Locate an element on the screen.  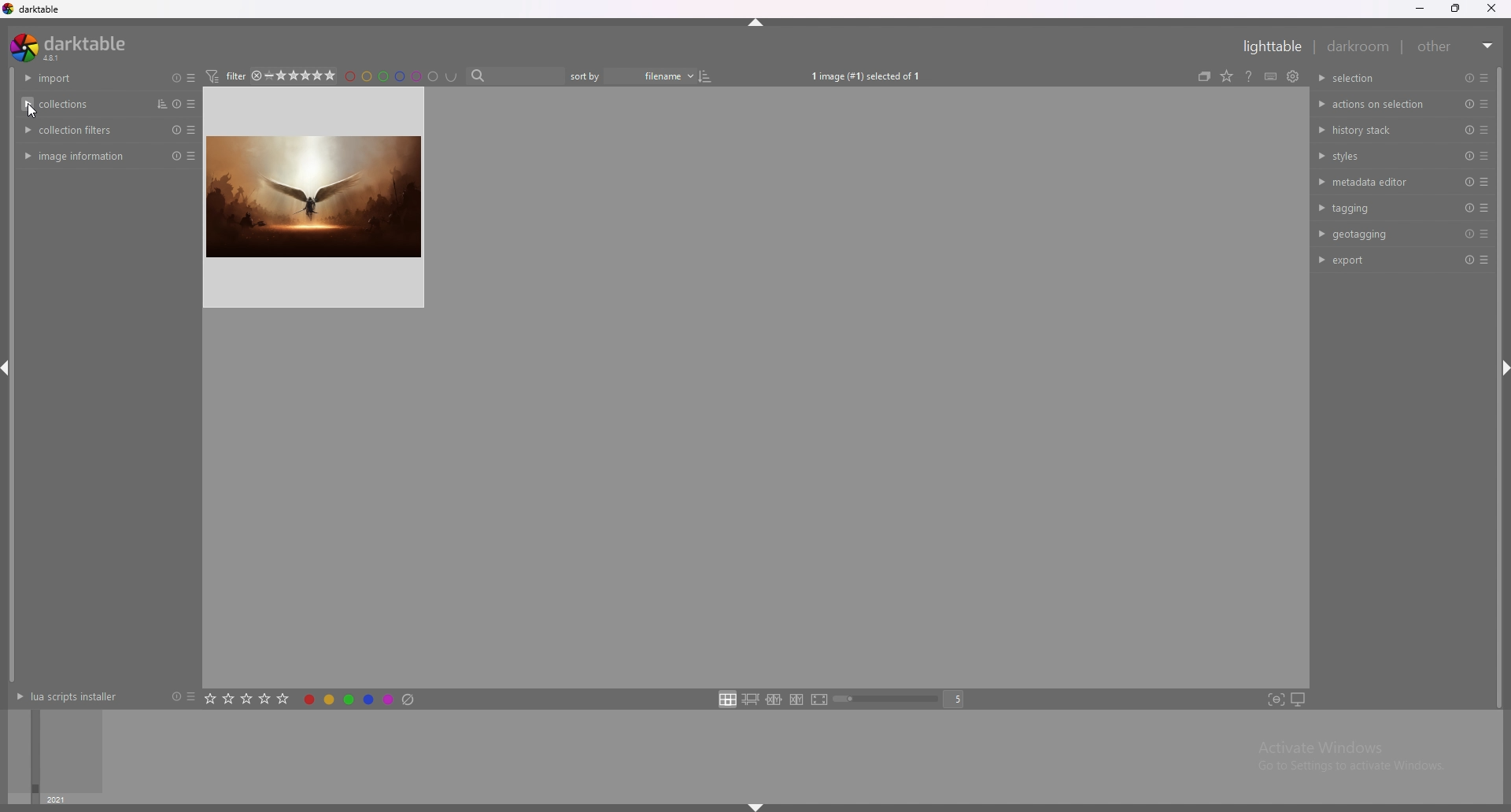
resets is located at coordinates (173, 77).